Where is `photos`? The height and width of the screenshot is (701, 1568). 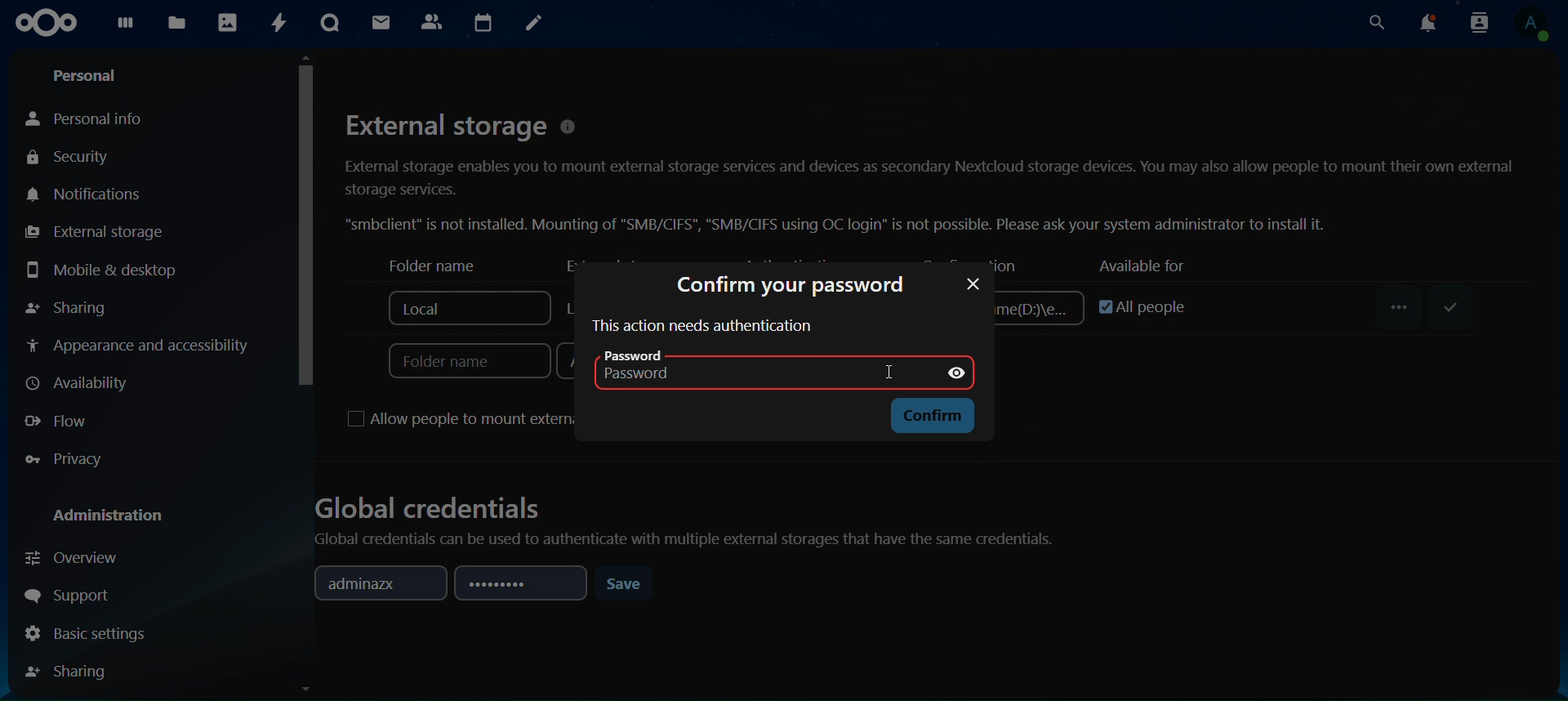
photos is located at coordinates (229, 23).